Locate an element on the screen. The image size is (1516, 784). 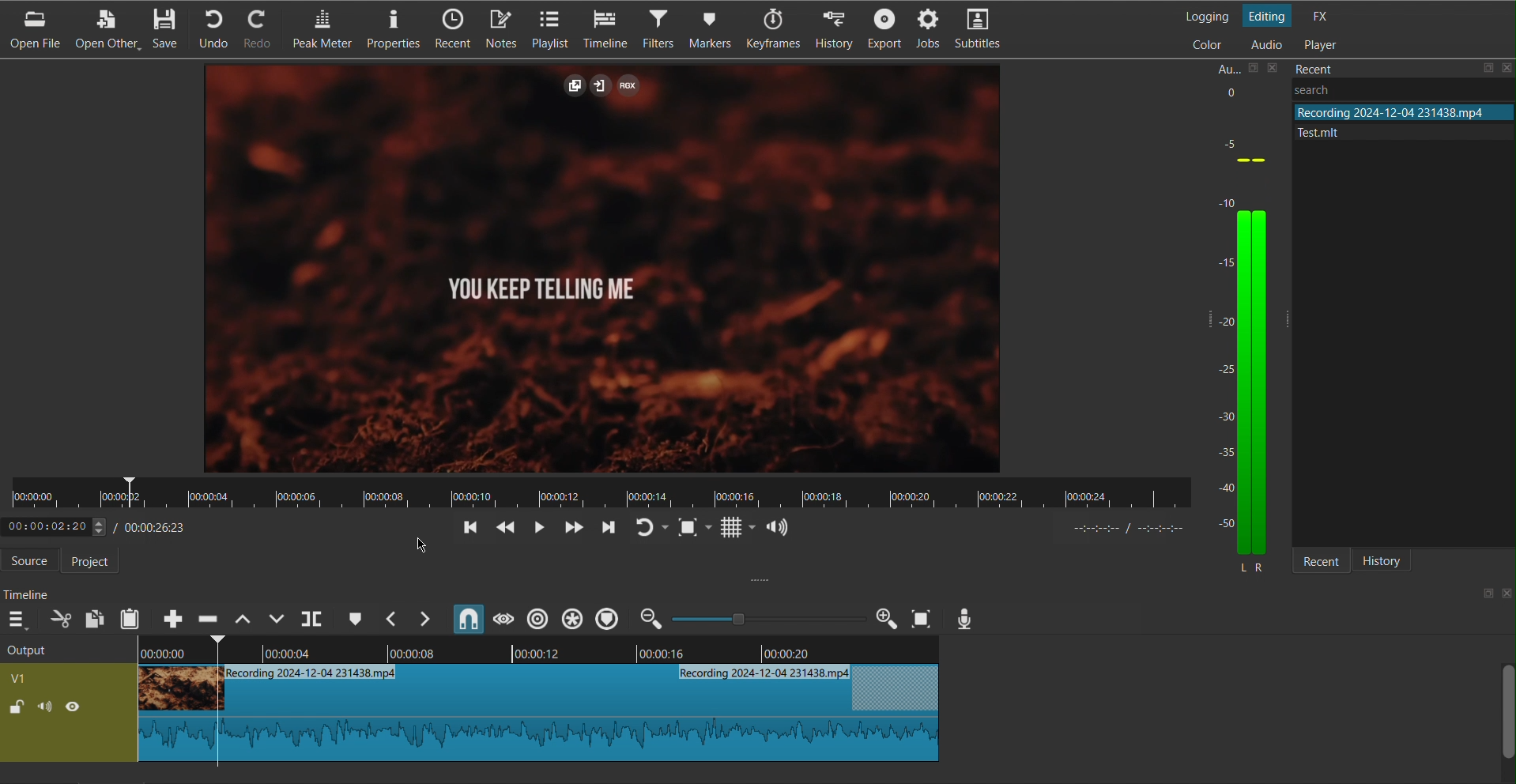
First Split is located at coordinates (168, 699).